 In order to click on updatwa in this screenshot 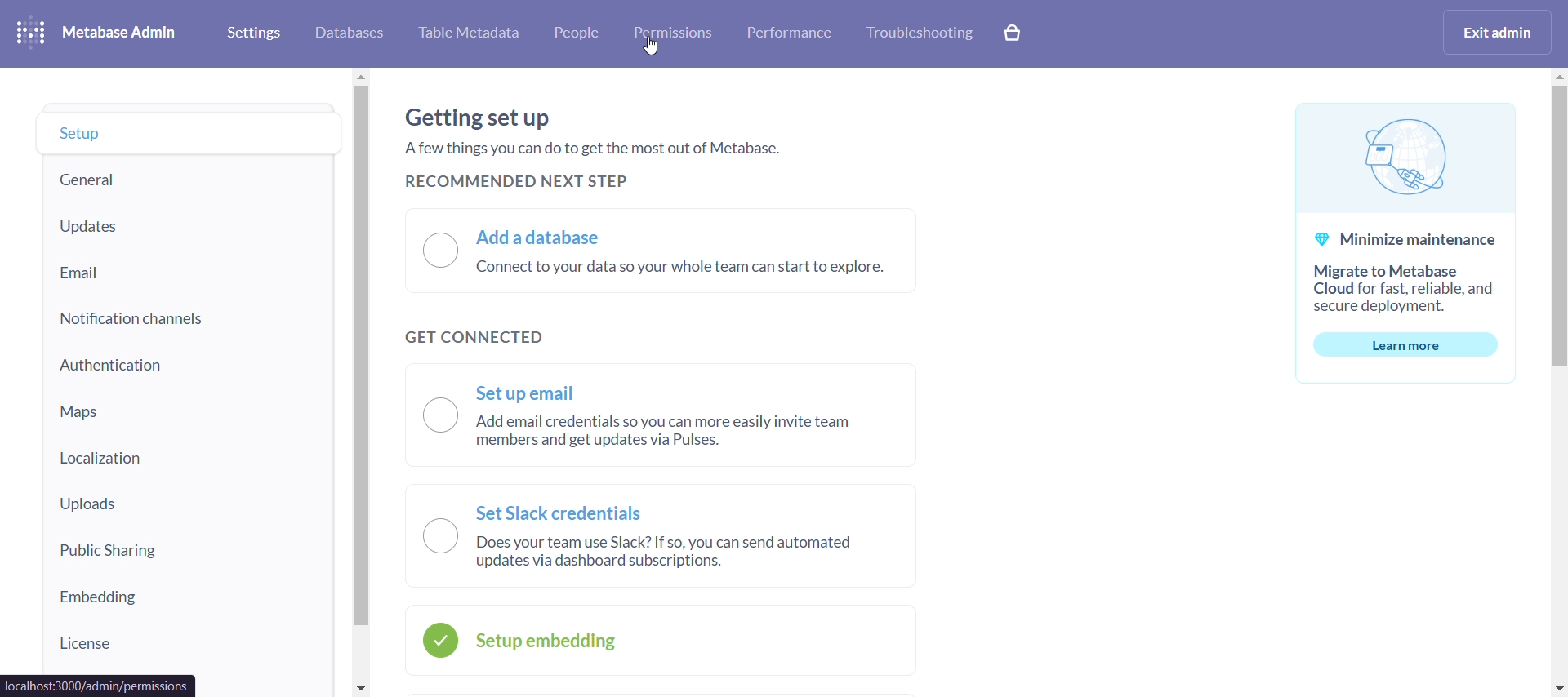, I will do `click(187, 223)`.